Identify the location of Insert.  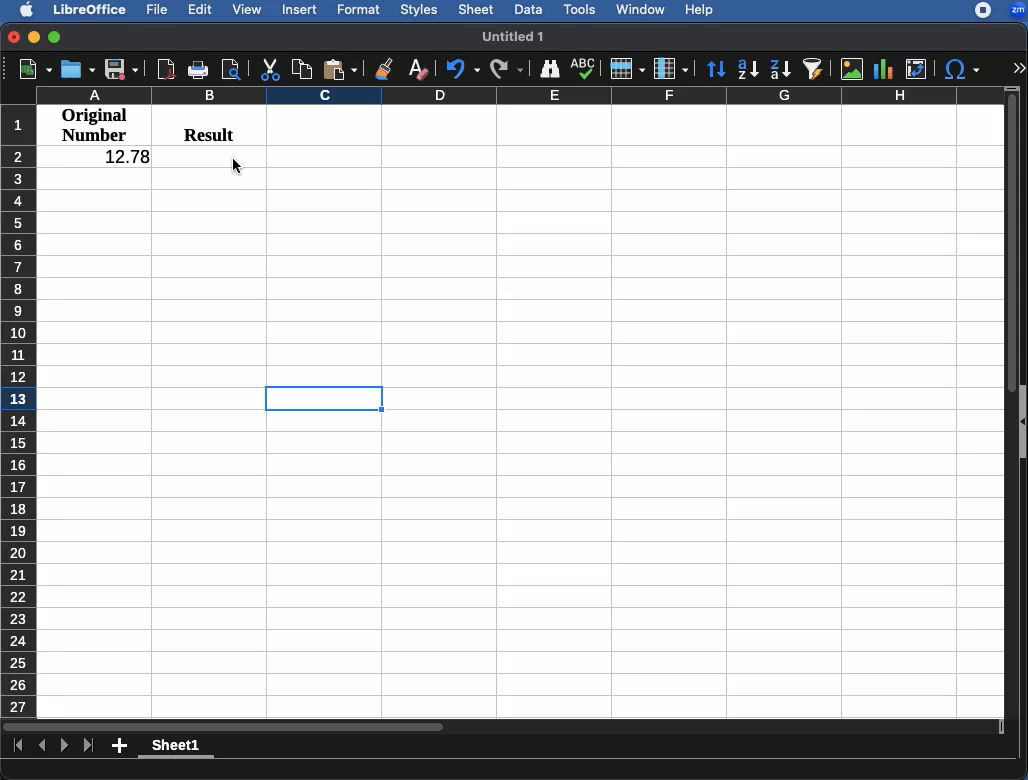
(301, 11).